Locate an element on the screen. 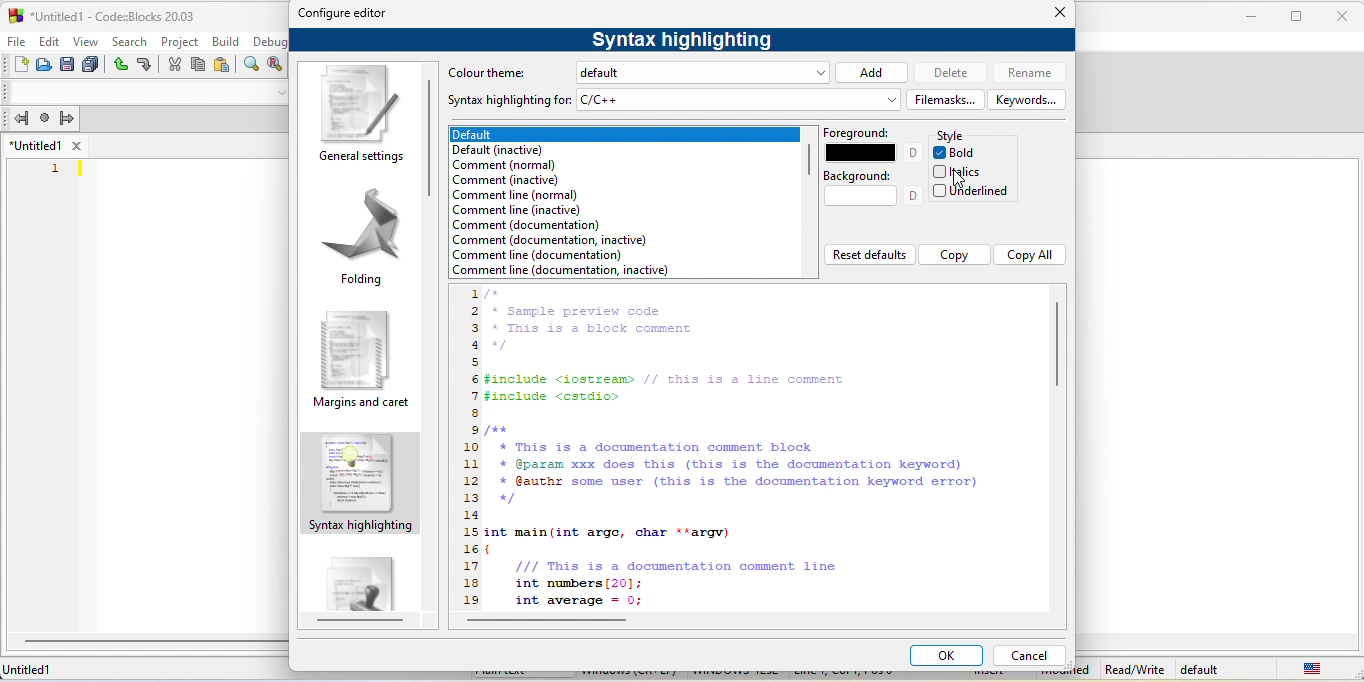  margins and caret is located at coordinates (364, 362).